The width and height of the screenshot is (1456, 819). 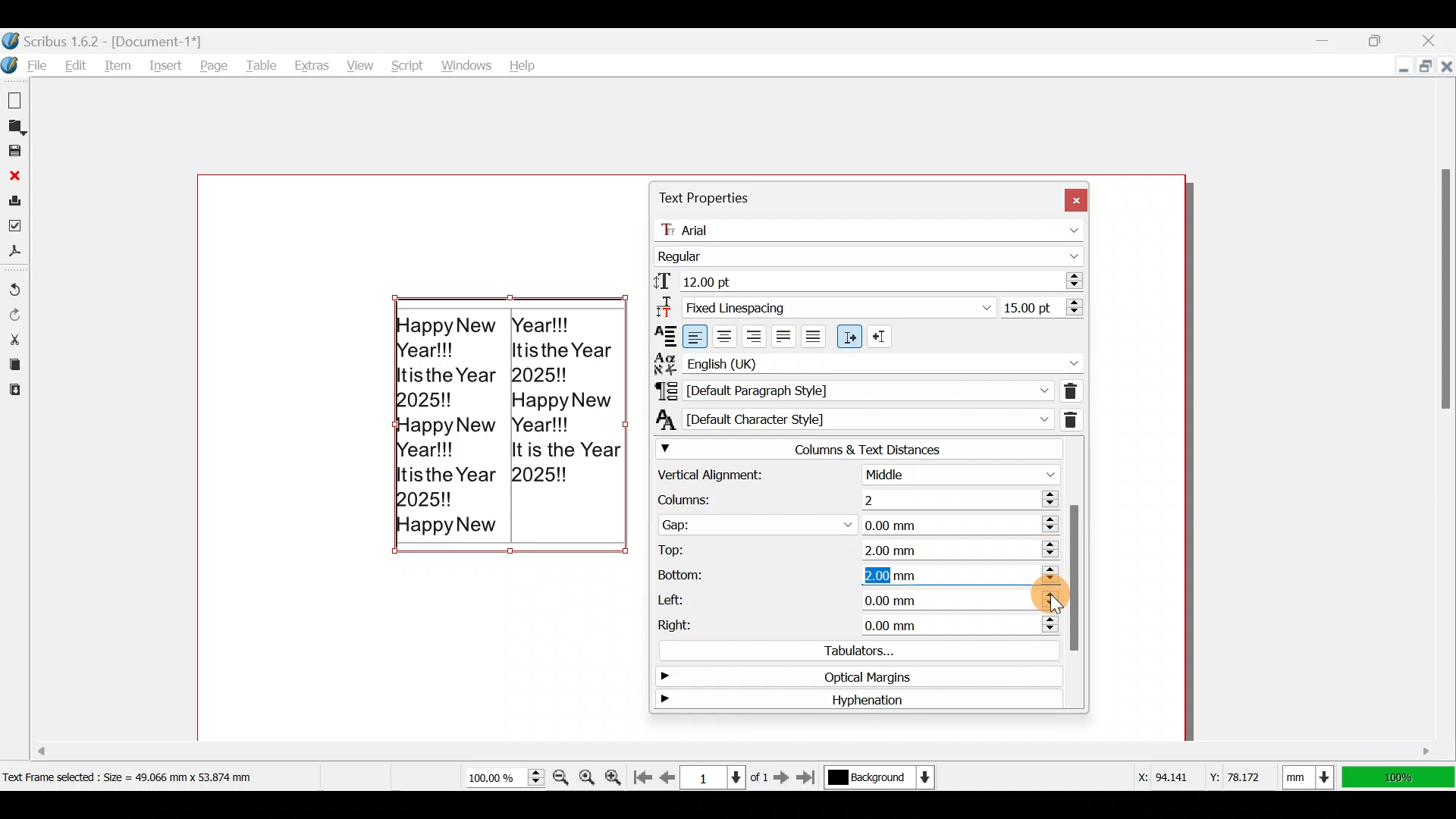 What do you see at coordinates (17, 152) in the screenshot?
I see `Save` at bounding box center [17, 152].